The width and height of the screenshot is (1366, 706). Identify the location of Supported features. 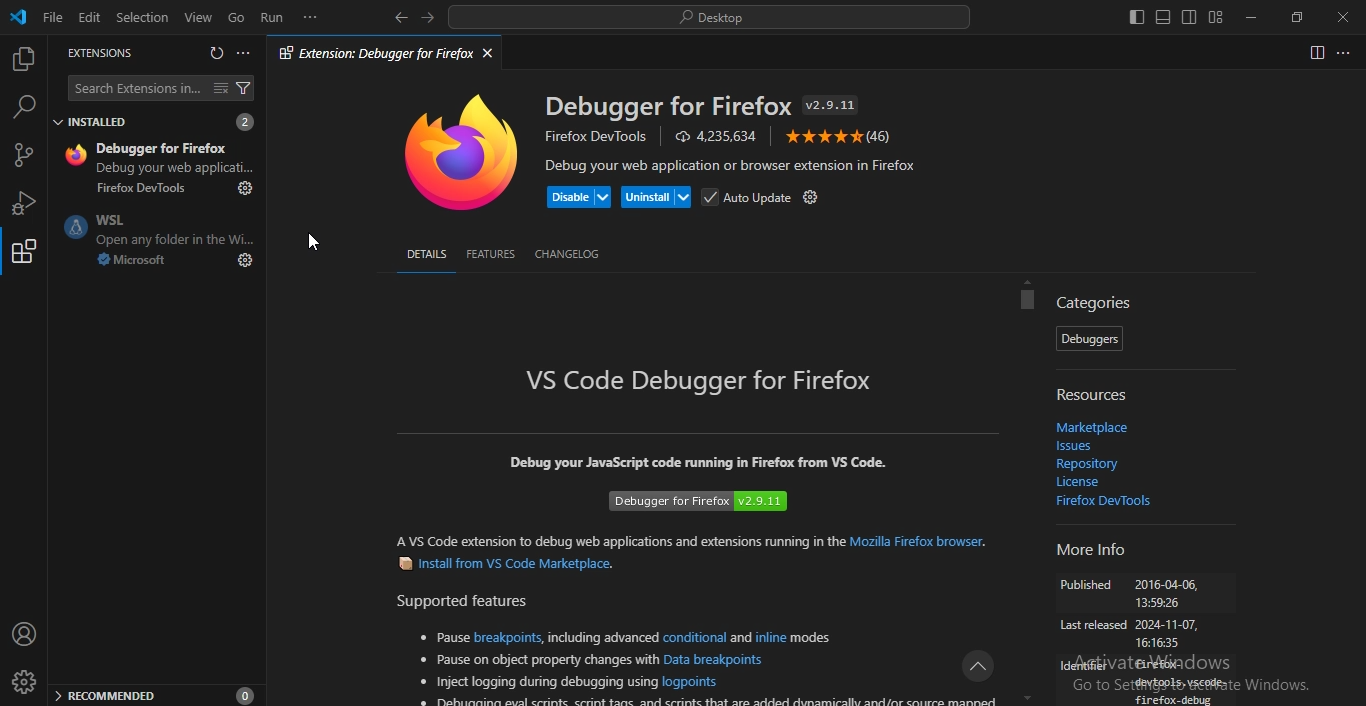
(462, 602).